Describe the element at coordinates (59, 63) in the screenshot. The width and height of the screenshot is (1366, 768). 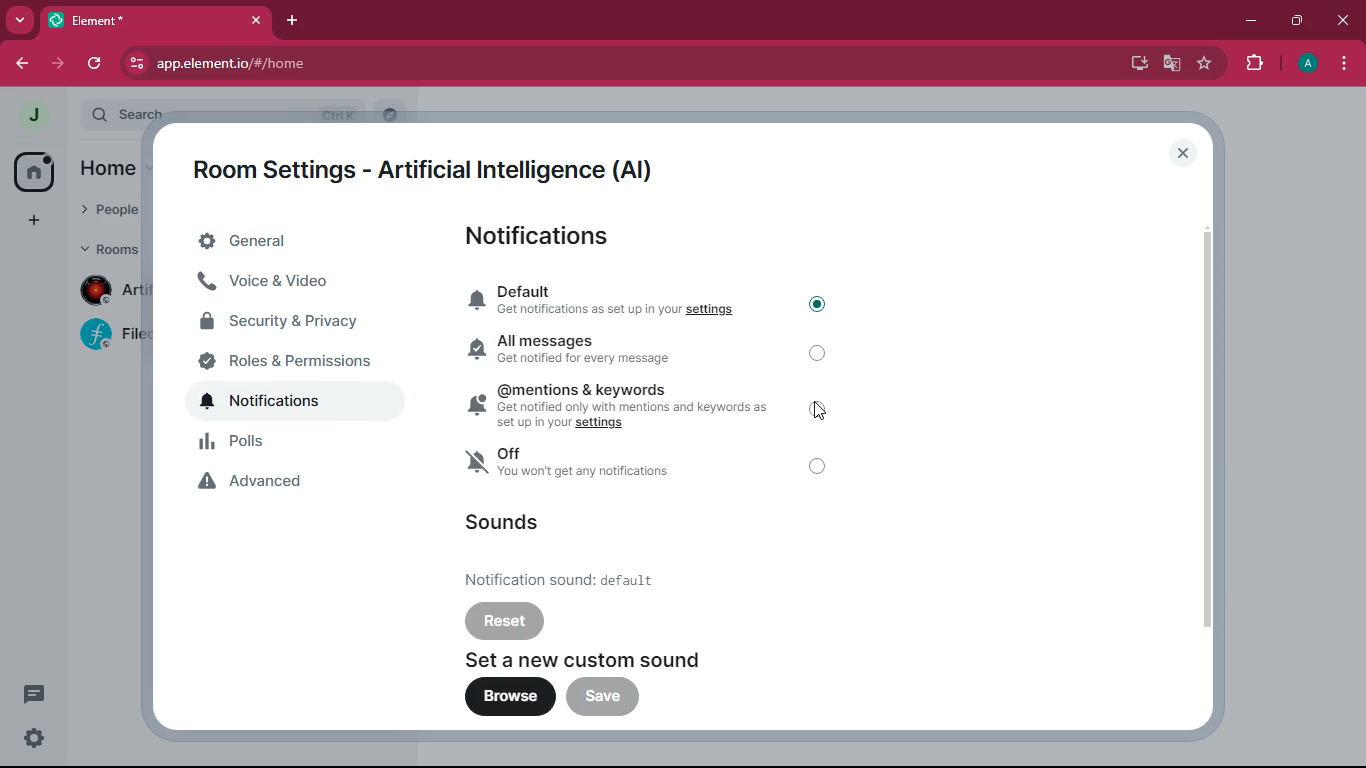
I see `forward` at that location.